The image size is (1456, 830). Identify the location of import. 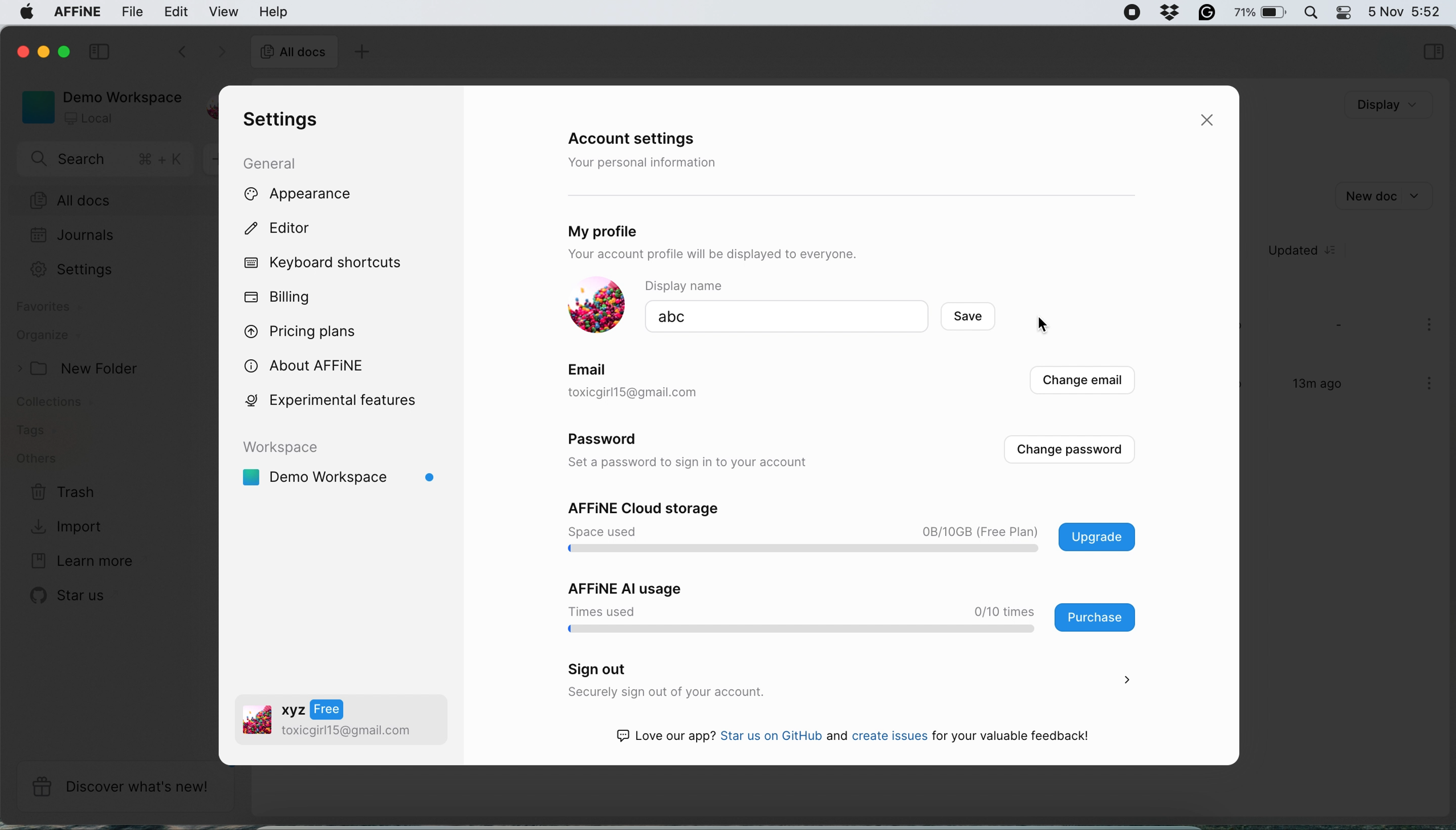
(70, 525).